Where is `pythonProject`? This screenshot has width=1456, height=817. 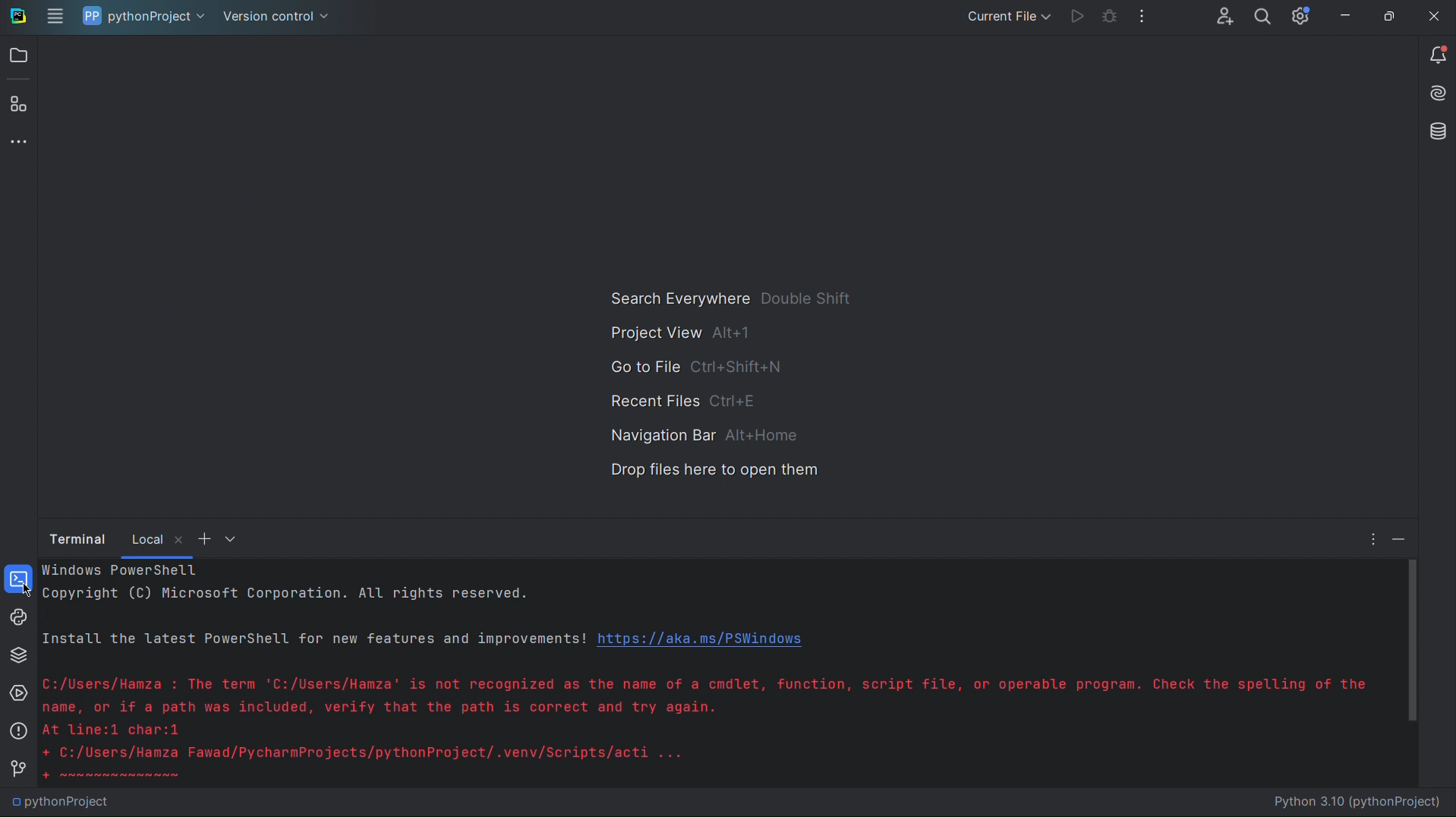
pythonProject is located at coordinates (62, 803).